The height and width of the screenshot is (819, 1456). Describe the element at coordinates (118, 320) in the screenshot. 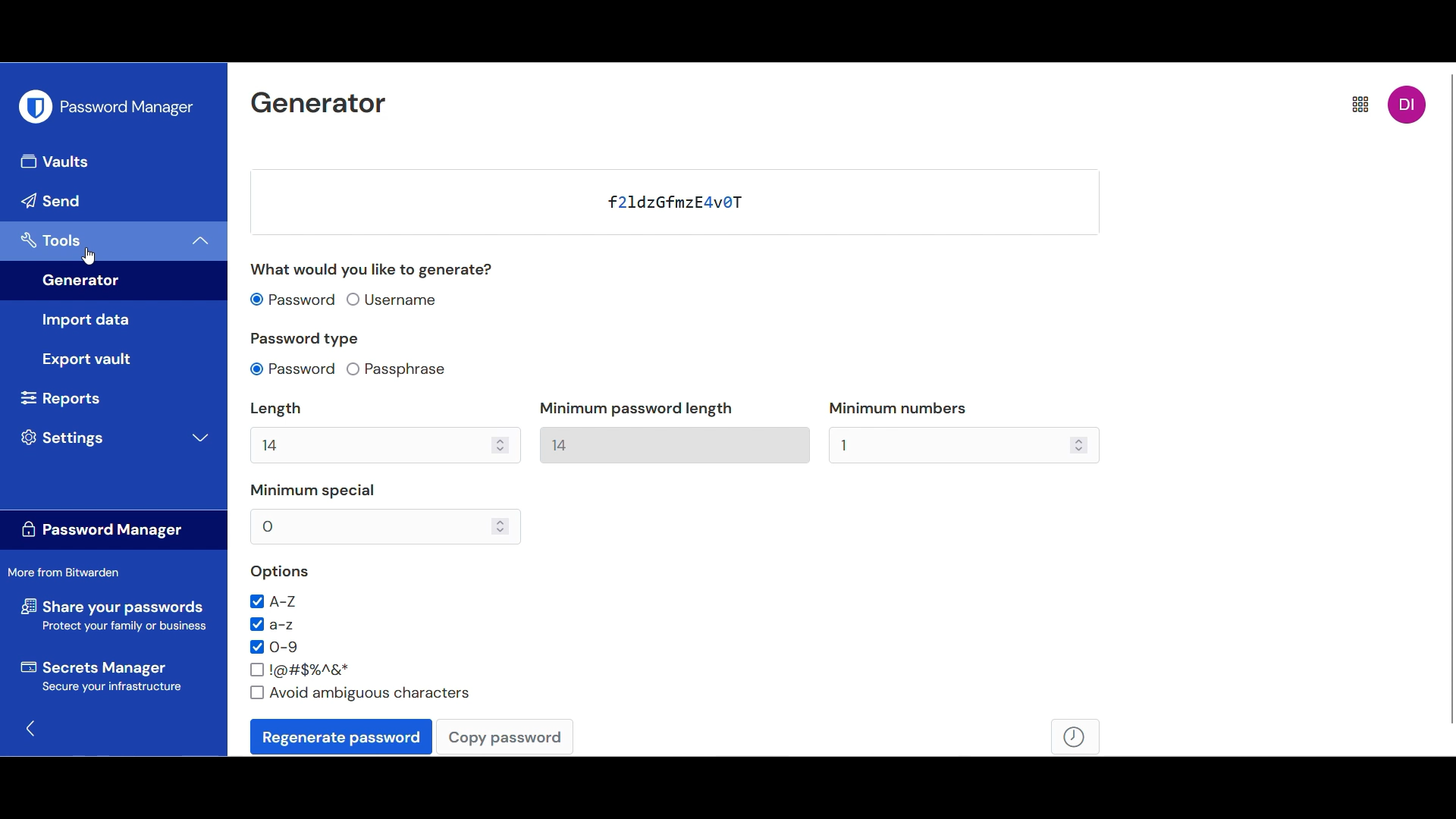

I see `Import data` at that location.